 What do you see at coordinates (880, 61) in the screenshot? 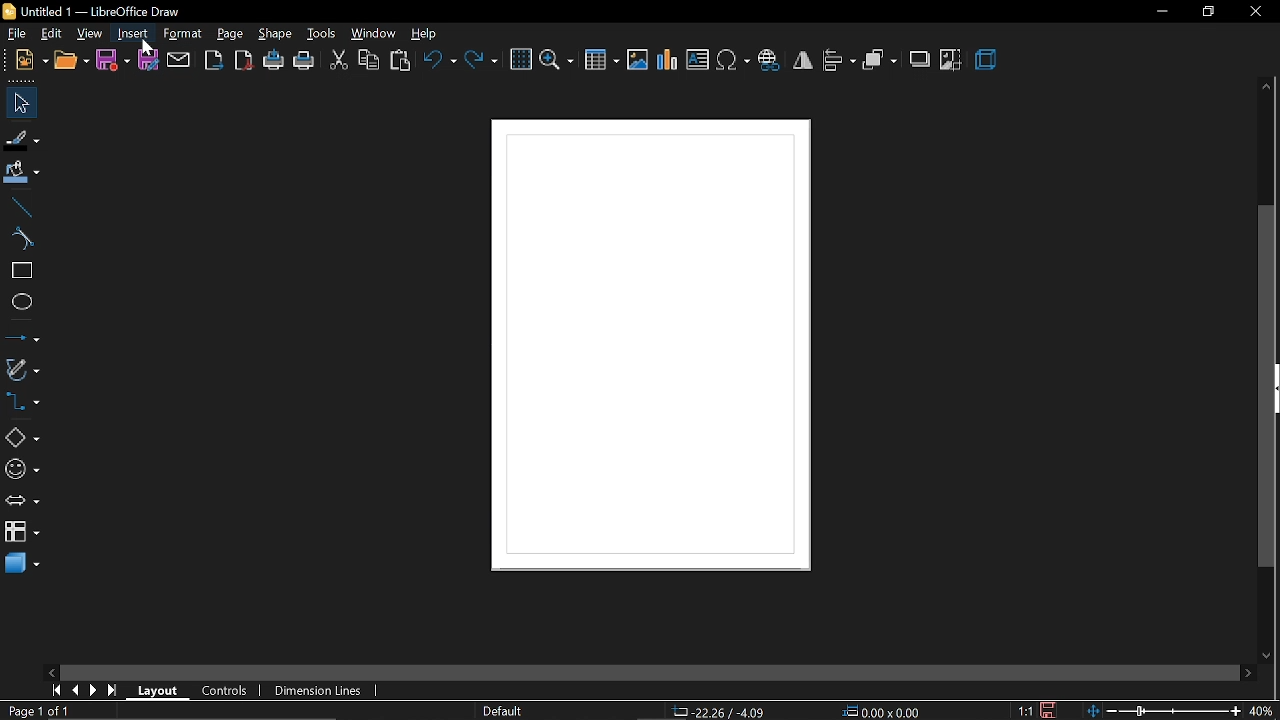
I see `arrange` at bounding box center [880, 61].